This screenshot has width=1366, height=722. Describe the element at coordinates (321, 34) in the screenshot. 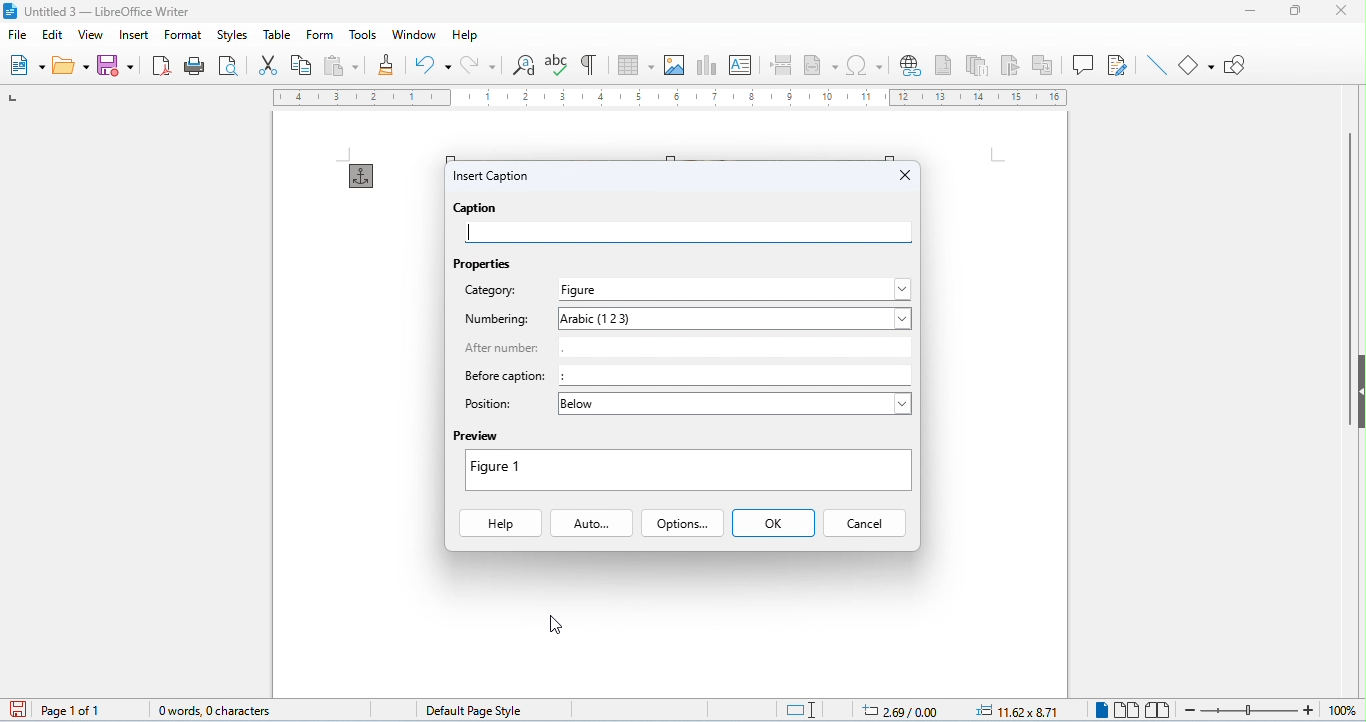

I see `form` at that location.